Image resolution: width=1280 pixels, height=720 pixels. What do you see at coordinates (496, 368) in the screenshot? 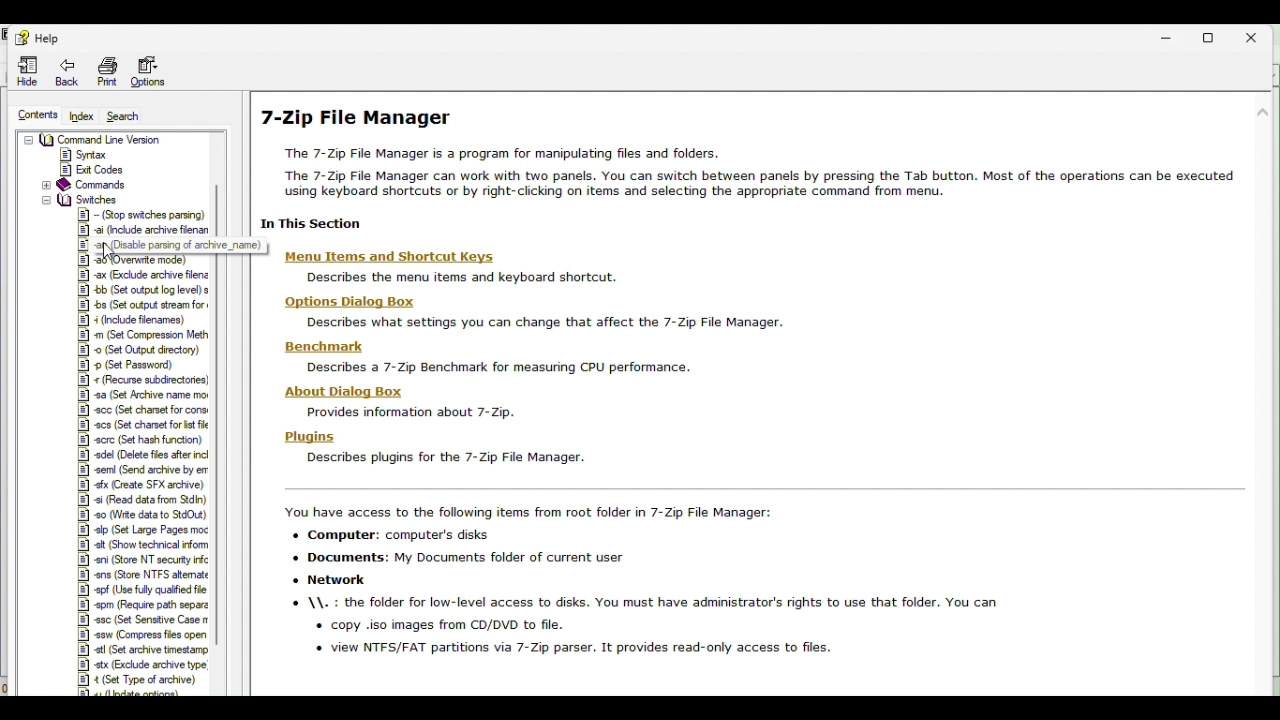
I see `Descnbes a 7-4 senchmark or measunng C¥uU periormance.` at bounding box center [496, 368].